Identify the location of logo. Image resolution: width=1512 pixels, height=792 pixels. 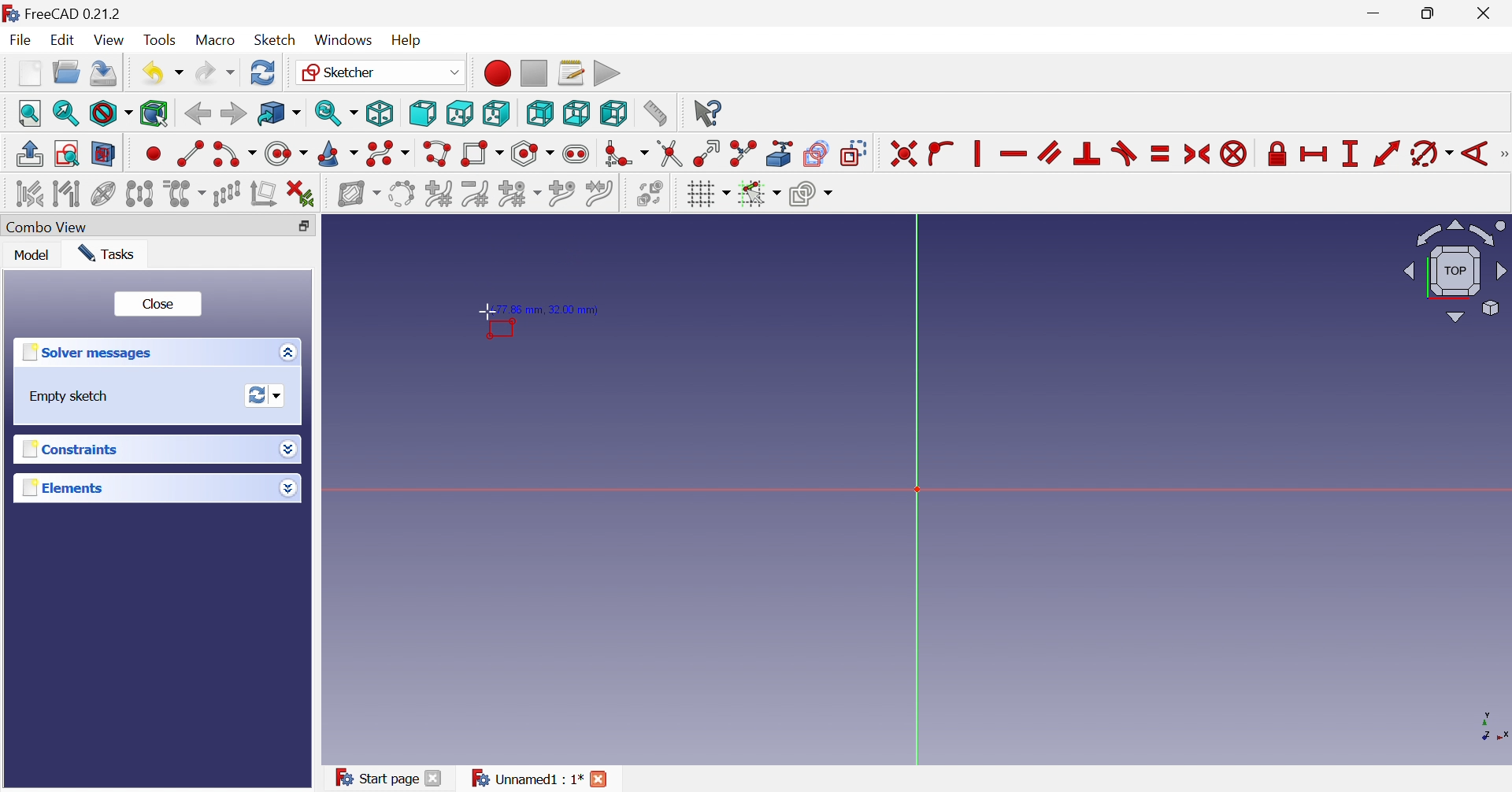
(10, 12).